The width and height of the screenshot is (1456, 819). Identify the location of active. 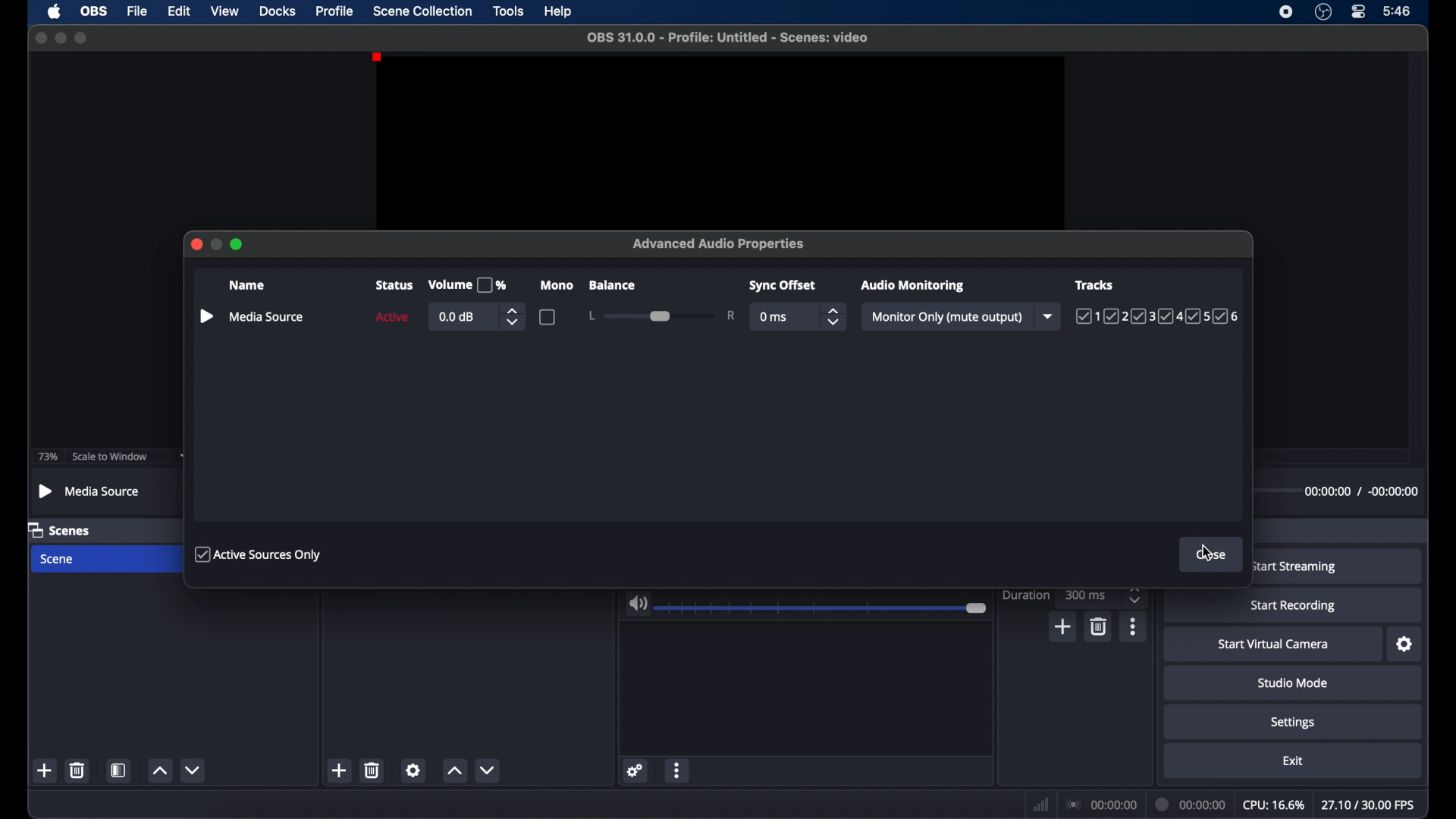
(391, 317).